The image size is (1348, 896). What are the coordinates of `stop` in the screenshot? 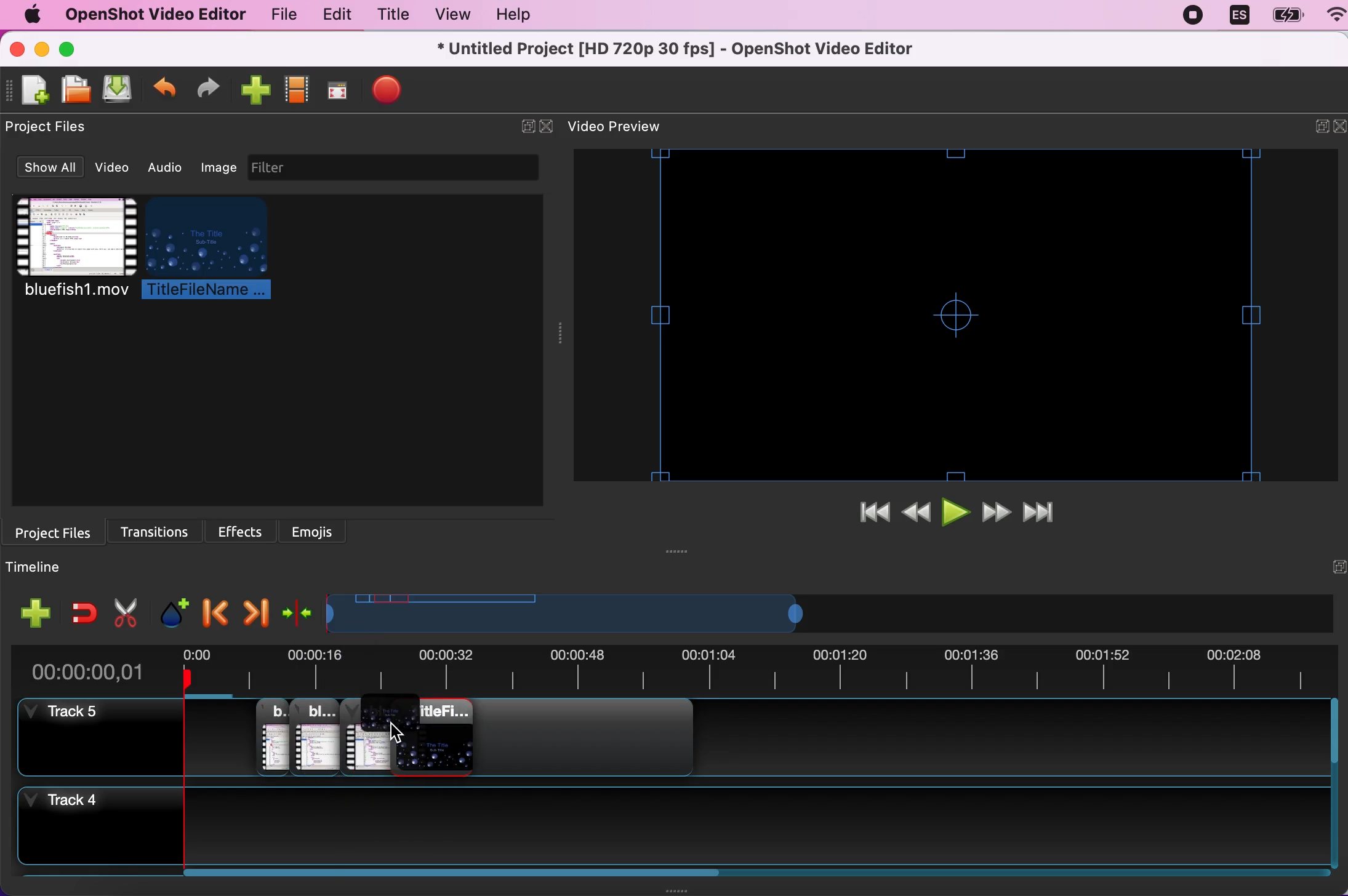 It's located at (387, 89).